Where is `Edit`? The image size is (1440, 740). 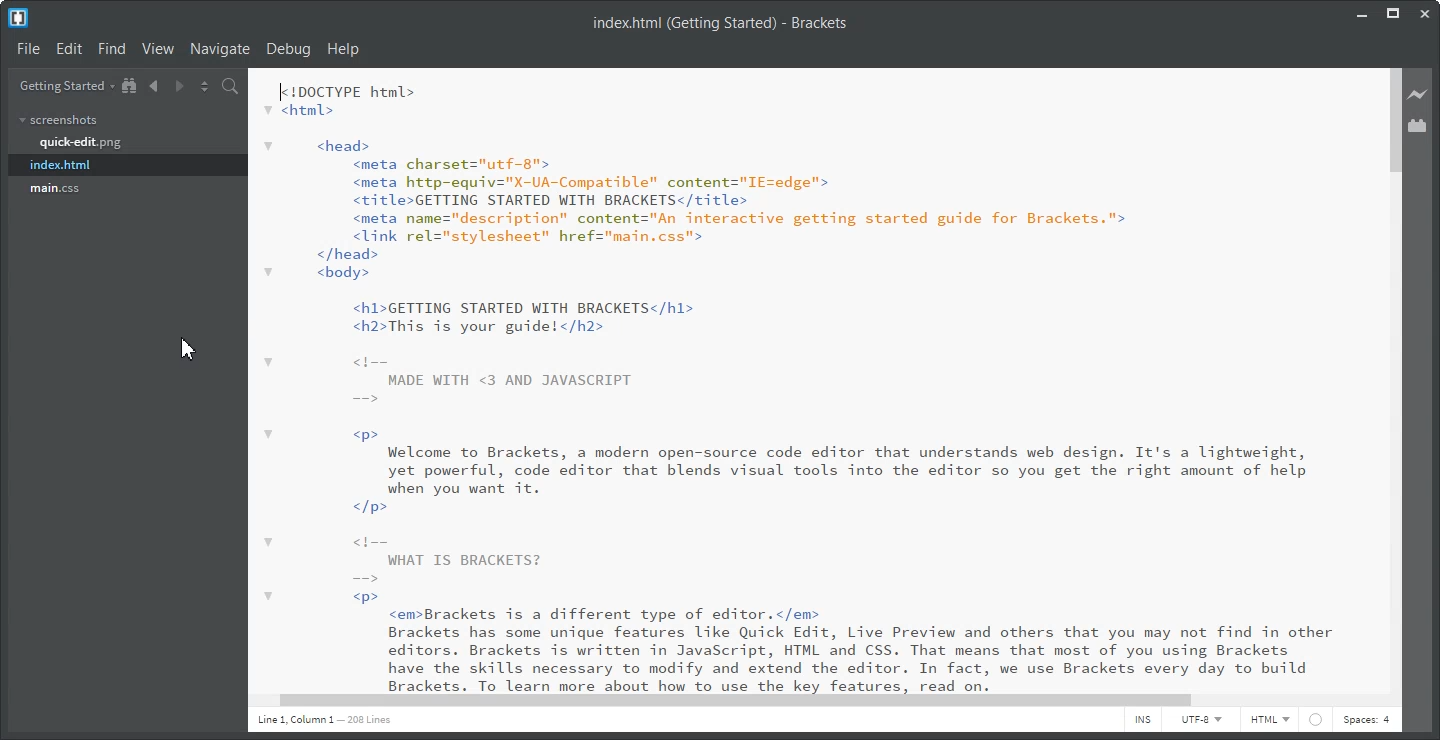
Edit is located at coordinates (69, 48).